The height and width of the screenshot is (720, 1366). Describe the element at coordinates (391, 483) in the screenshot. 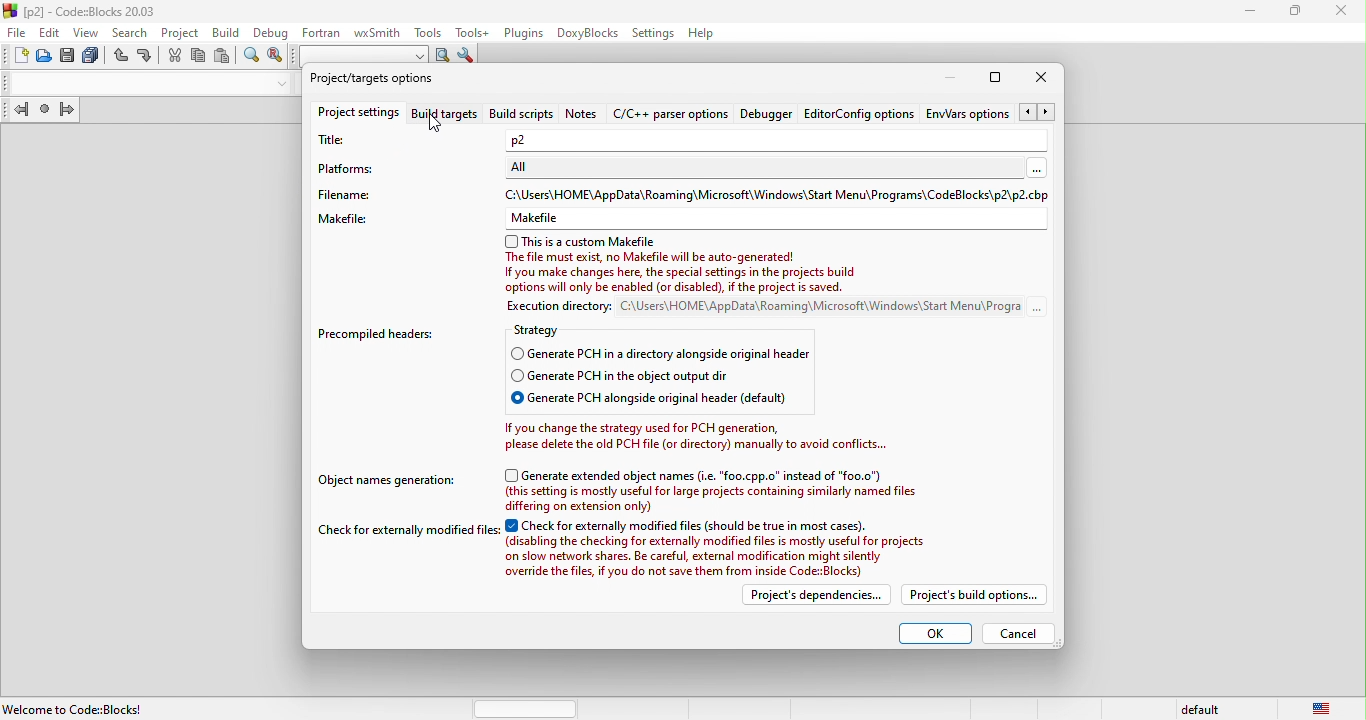

I see `object names generation` at that location.